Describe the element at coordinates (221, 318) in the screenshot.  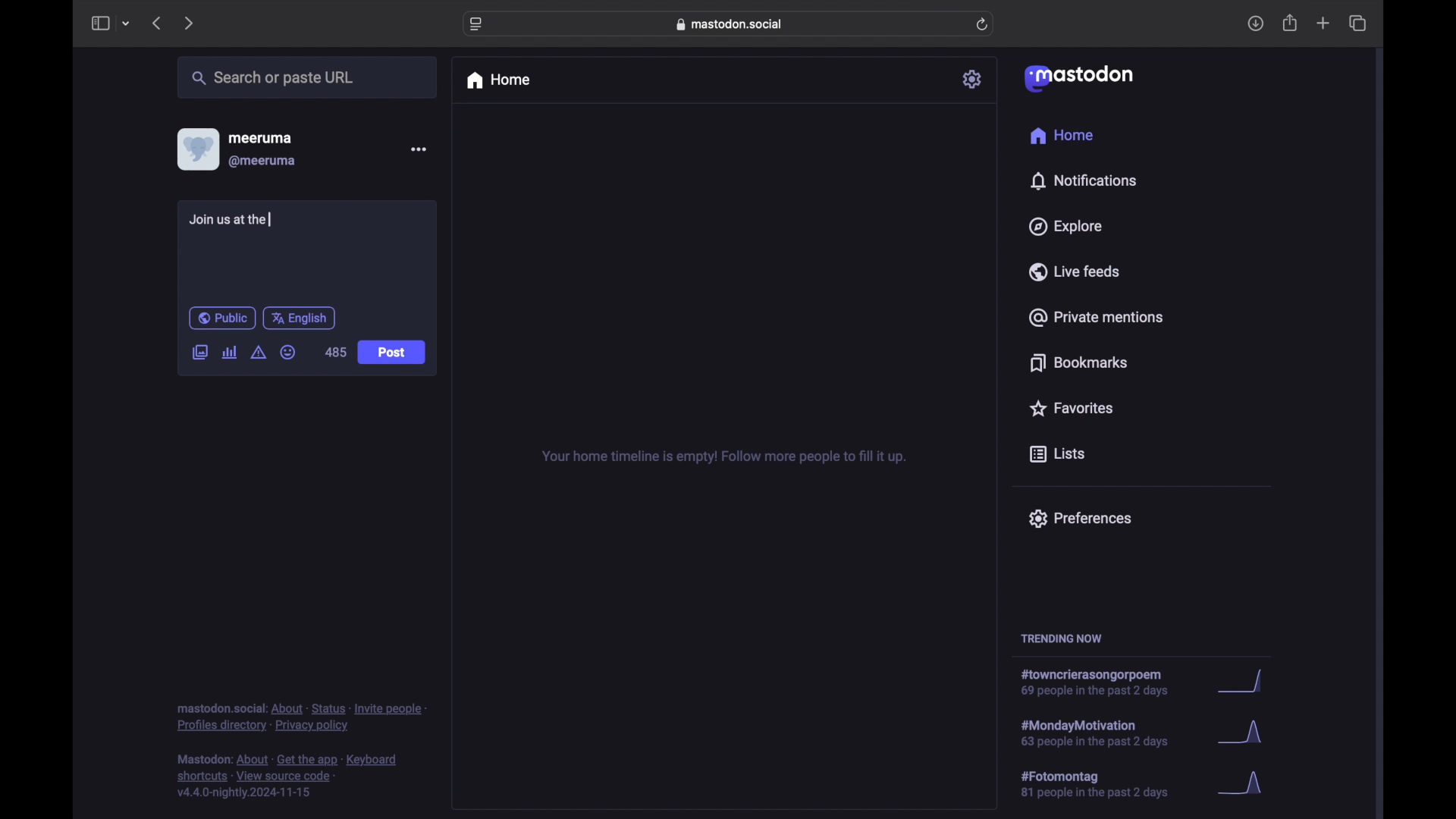
I see `public` at that location.